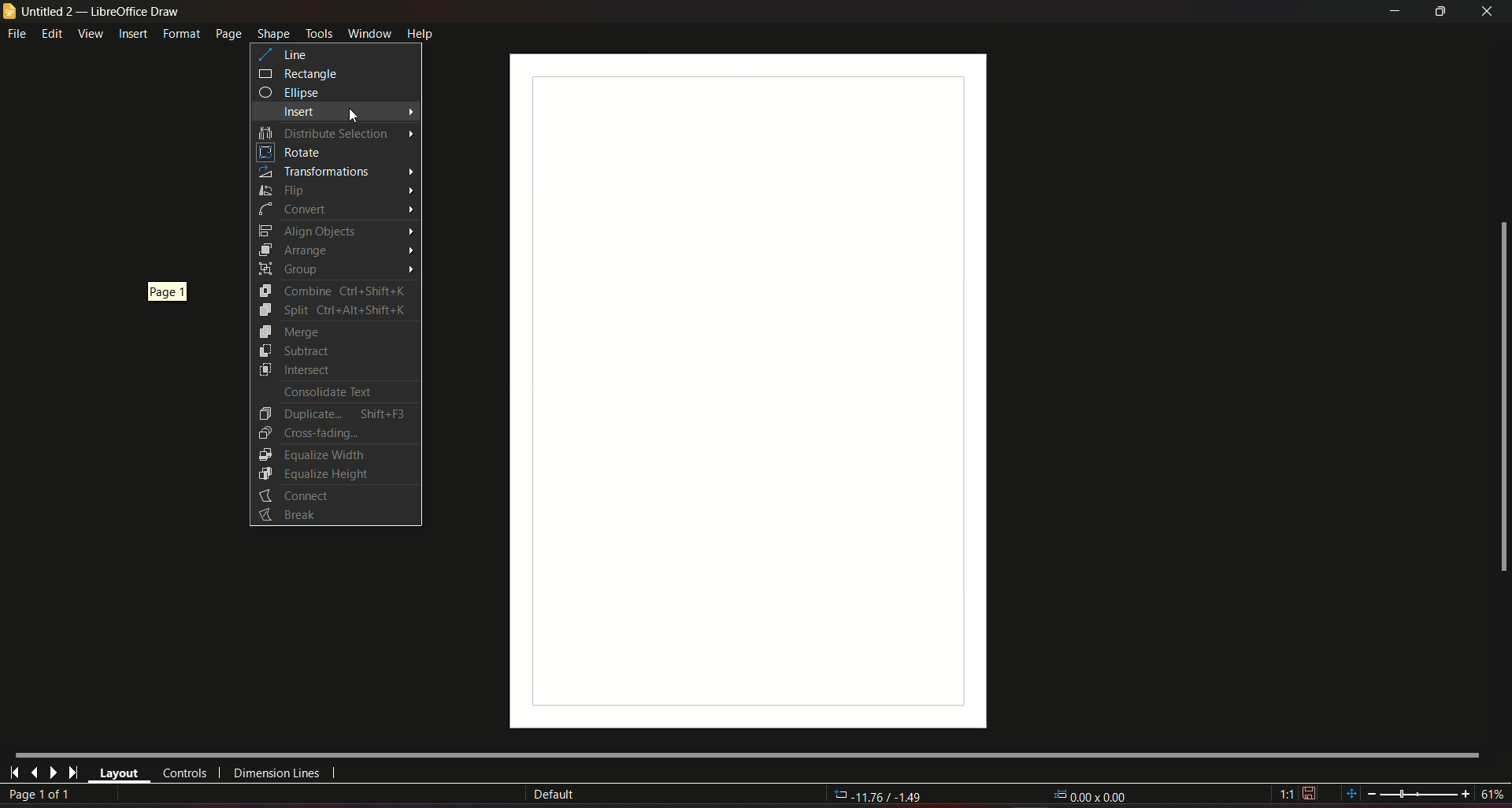  I want to click on ellipse, so click(292, 92).